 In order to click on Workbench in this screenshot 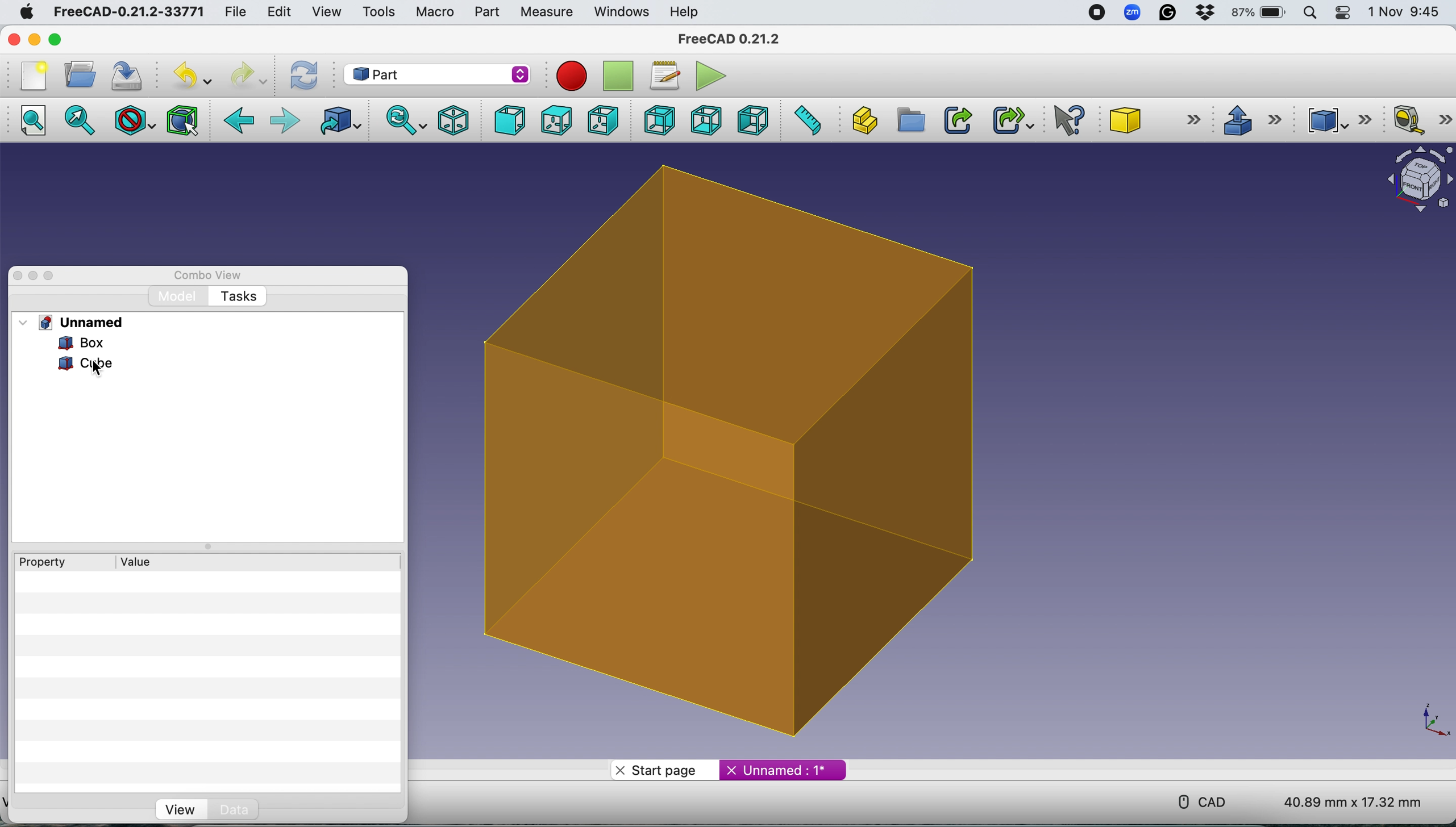, I will do `click(436, 73)`.